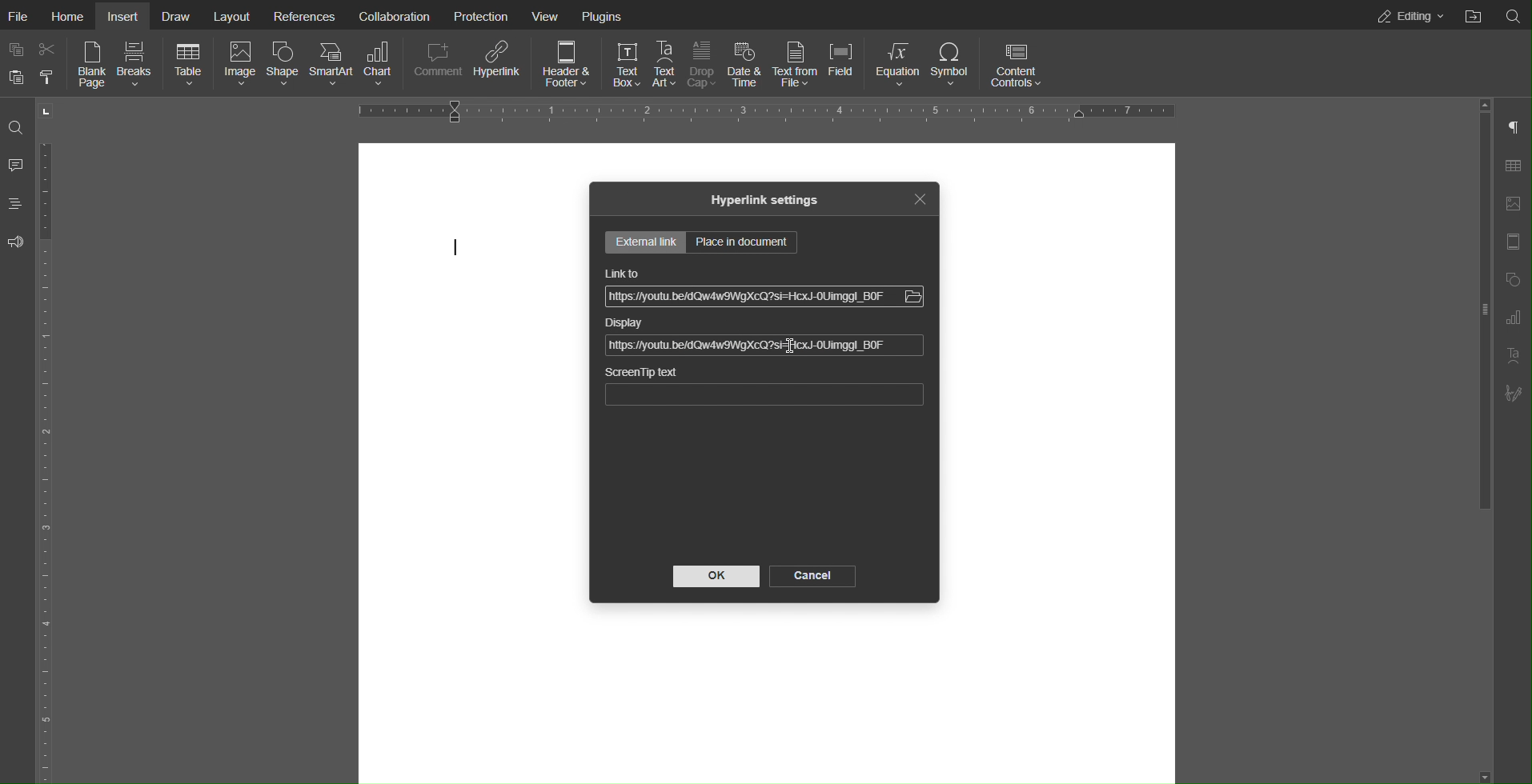  What do you see at coordinates (71, 16) in the screenshot?
I see `Home` at bounding box center [71, 16].